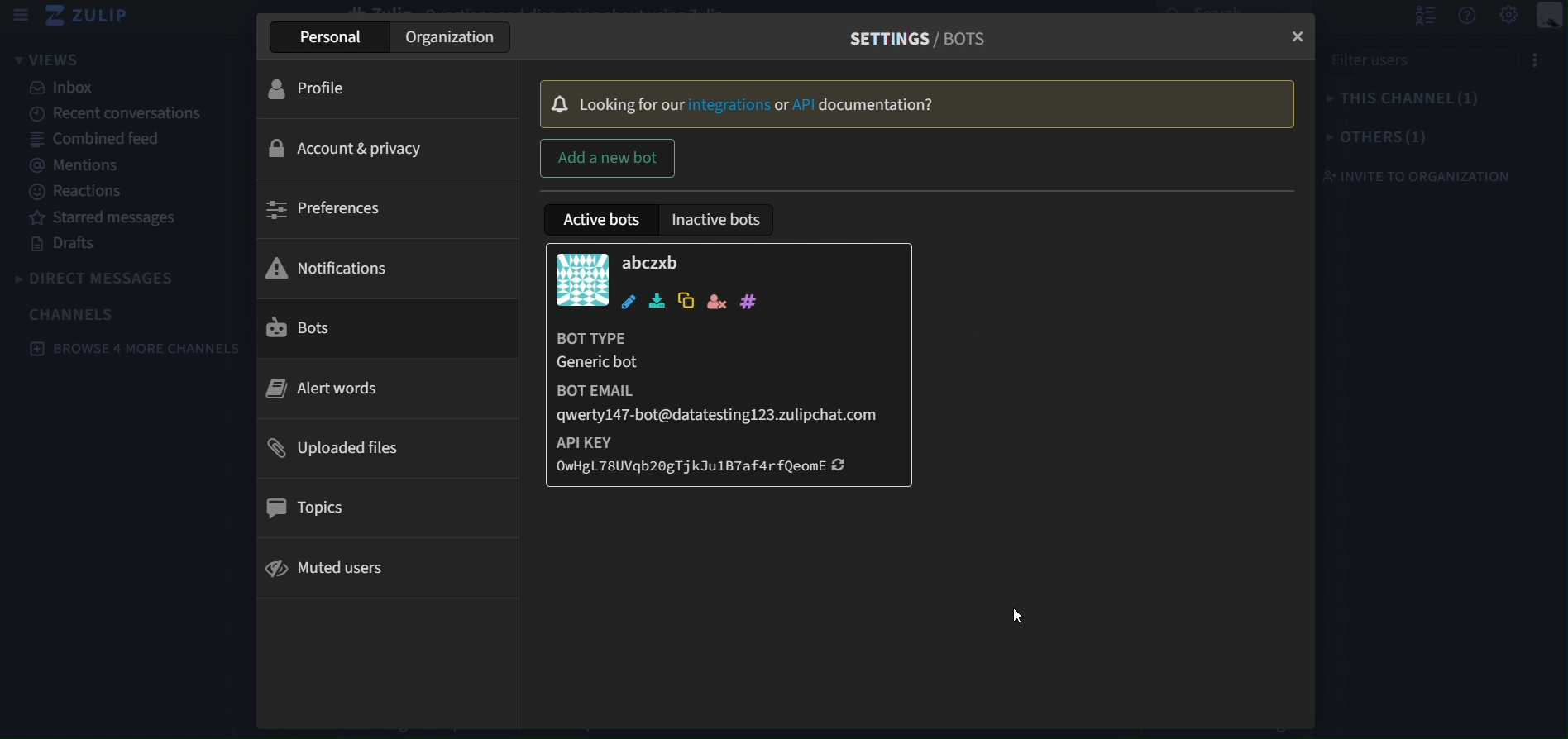 The image size is (1568, 739). What do you see at coordinates (747, 302) in the screenshot?
I see `#` at bounding box center [747, 302].